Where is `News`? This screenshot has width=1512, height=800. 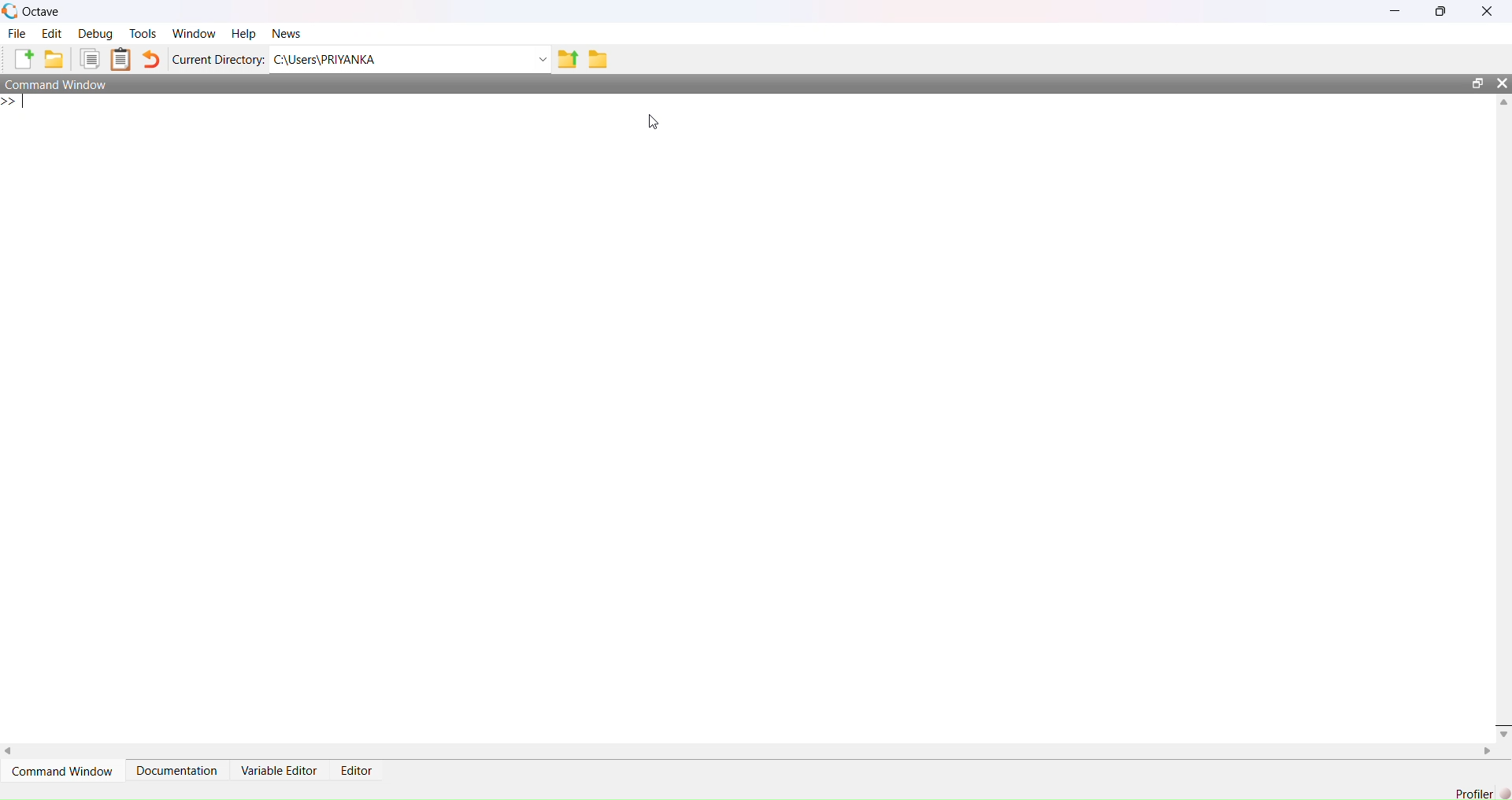
News is located at coordinates (288, 34).